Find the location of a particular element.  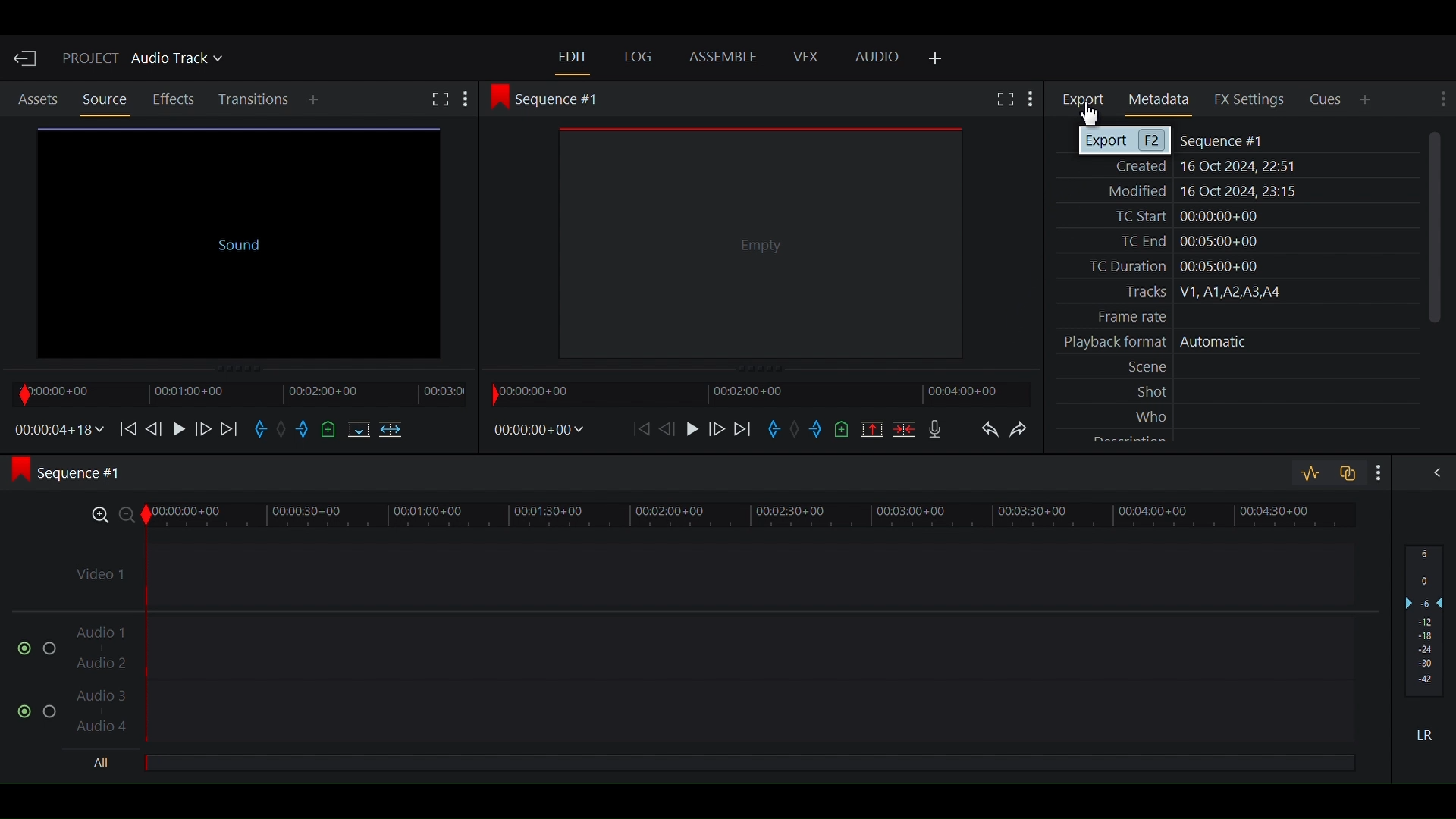

Audio Track 1, Audio Track 2 is located at coordinates (712, 641).